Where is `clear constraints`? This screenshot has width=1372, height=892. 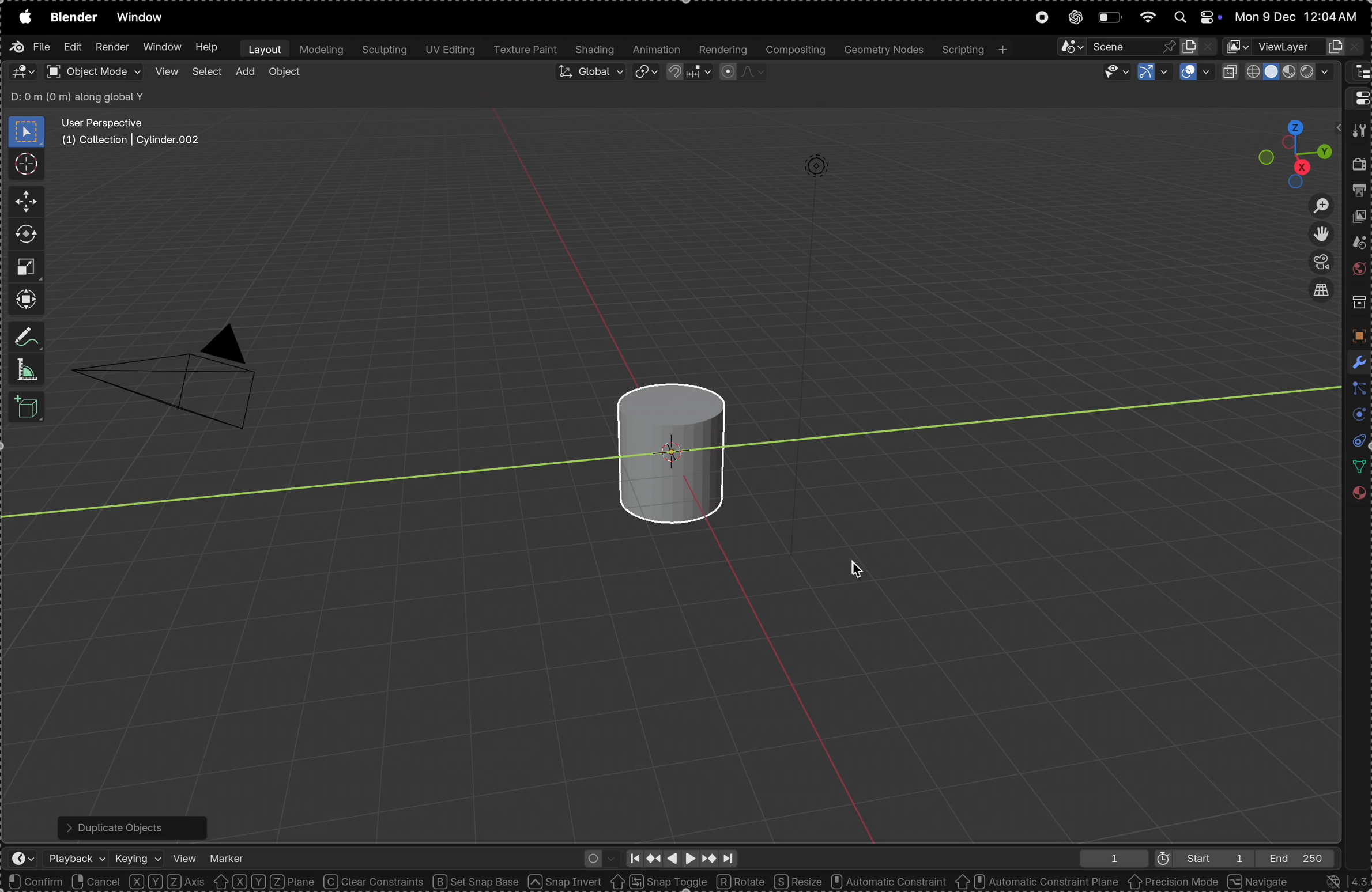 clear constraints is located at coordinates (375, 882).